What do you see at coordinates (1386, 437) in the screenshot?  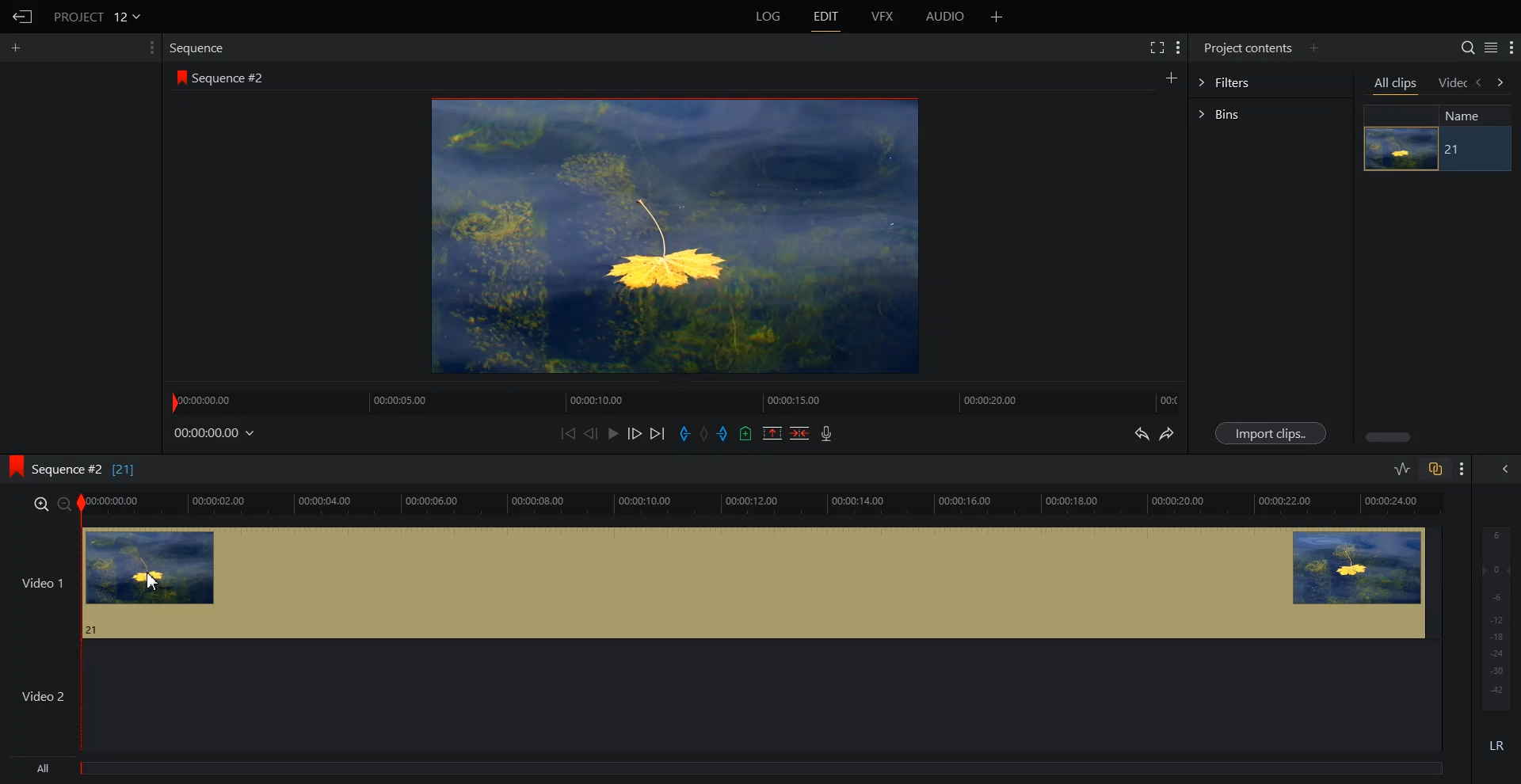 I see `Horizontal Scroll bar` at bounding box center [1386, 437].